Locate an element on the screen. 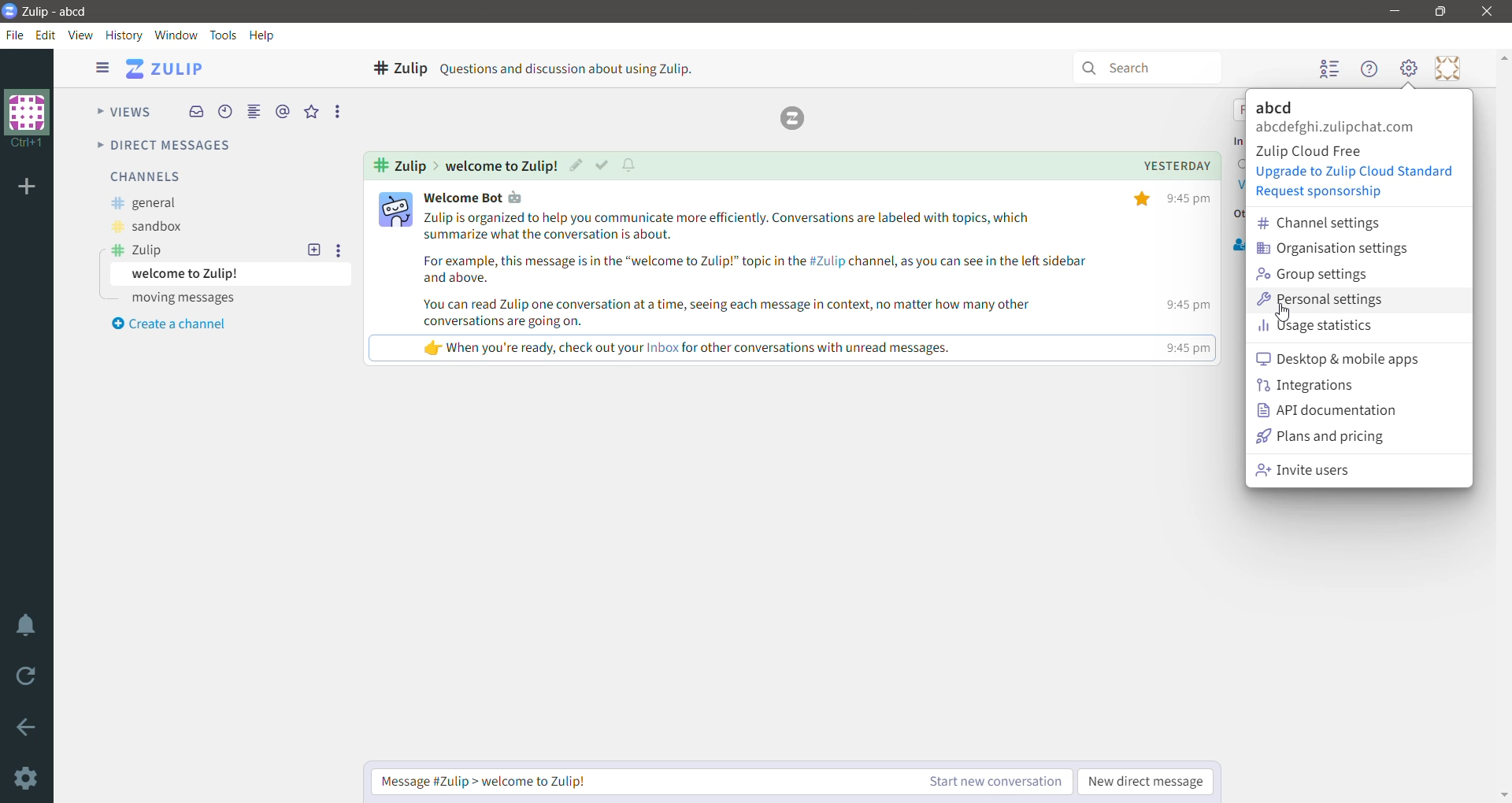 Image resolution: width=1512 pixels, height=803 pixels. user  is located at coordinates (505, 198).